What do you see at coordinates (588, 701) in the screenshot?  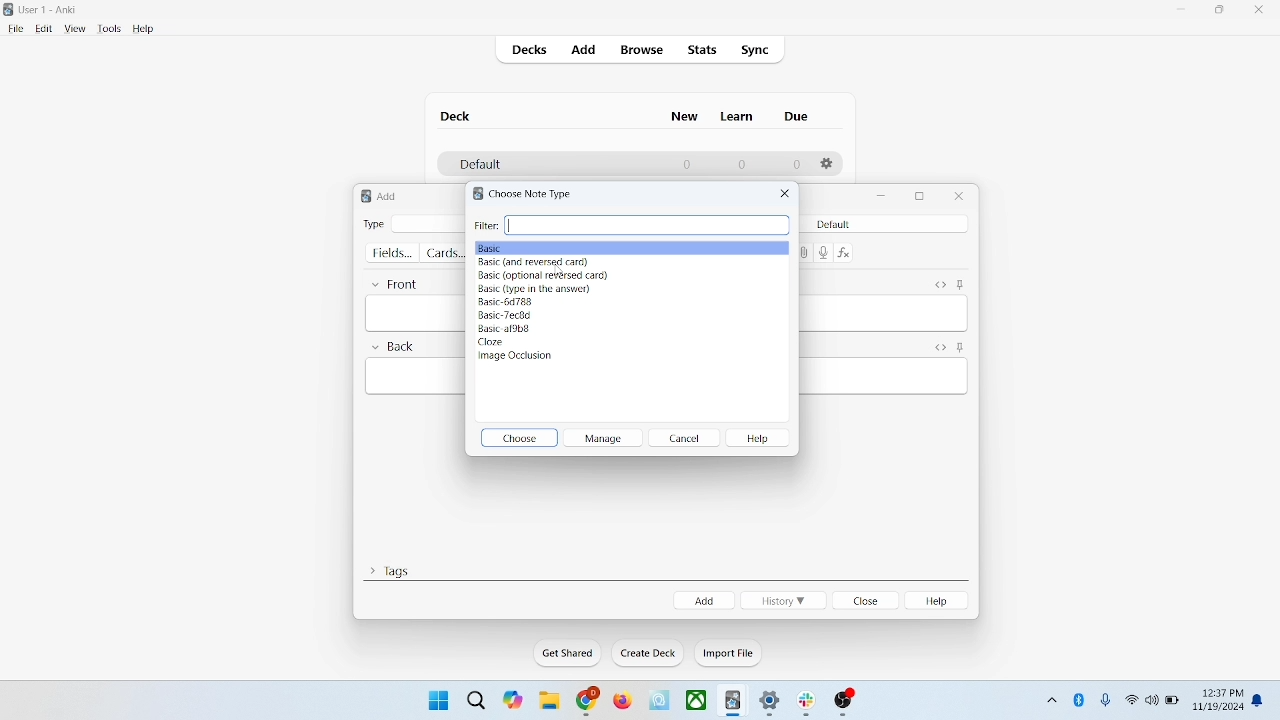 I see `chrome` at bounding box center [588, 701].